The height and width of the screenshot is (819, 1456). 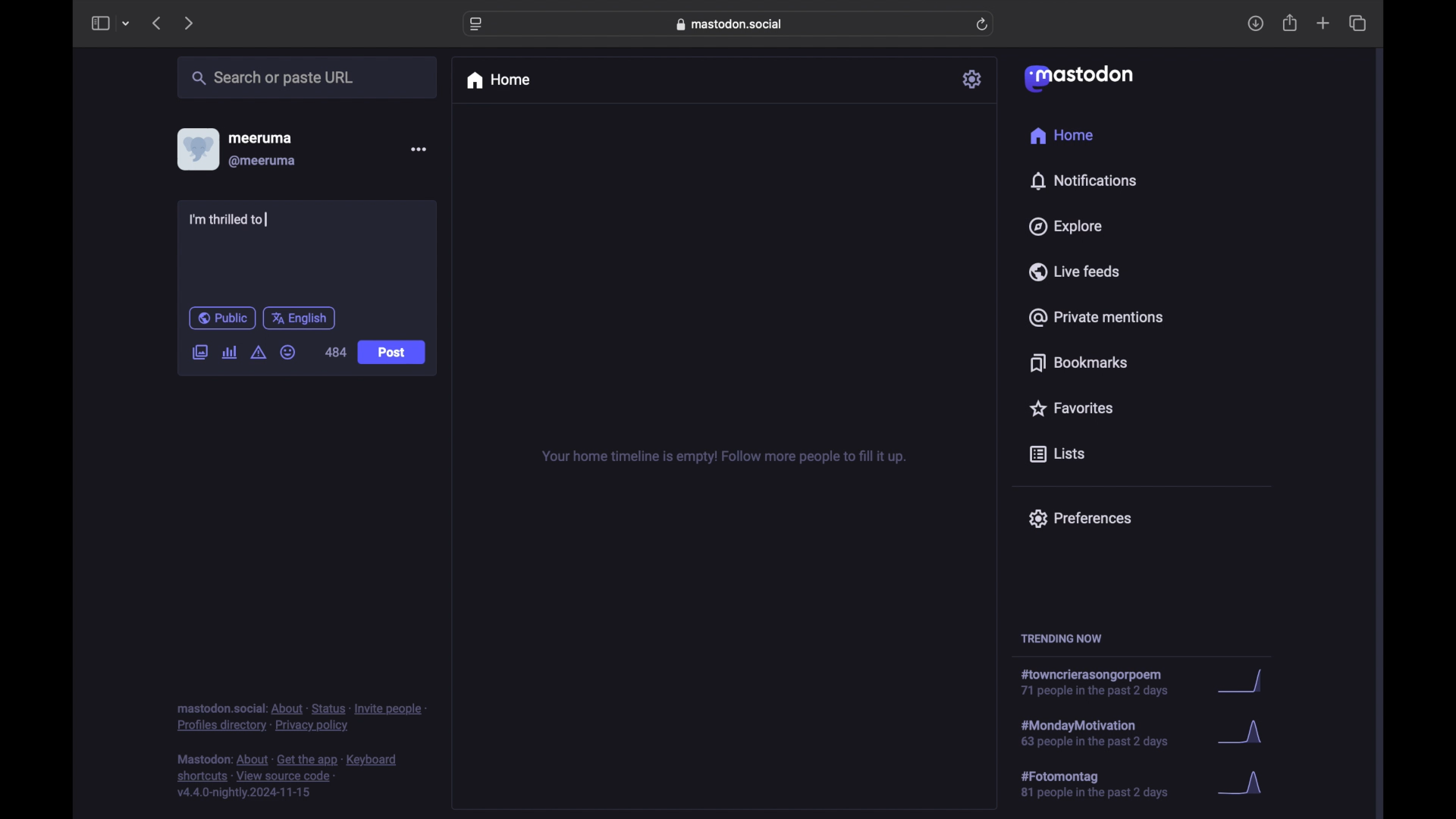 What do you see at coordinates (199, 353) in the screenshot?
I see `add image` at bounding box center [199, 353].